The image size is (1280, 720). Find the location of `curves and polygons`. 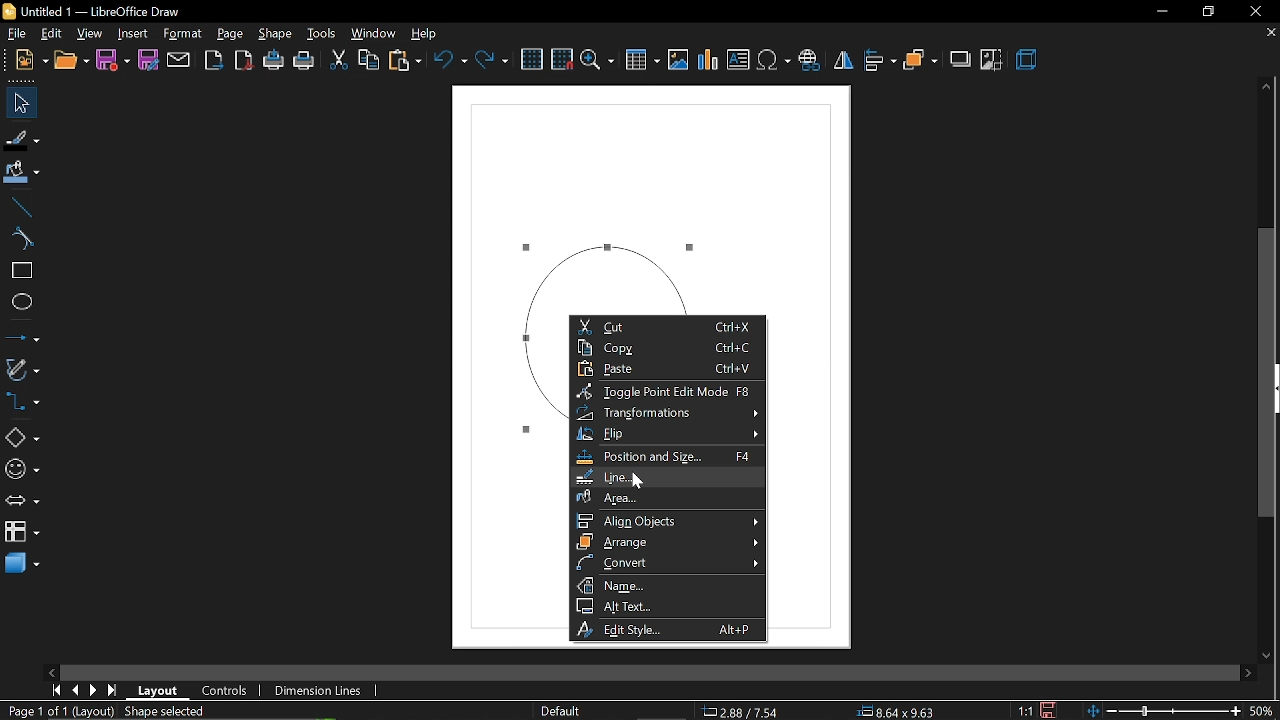

curves and polygons is located at coordinates (24, 369).